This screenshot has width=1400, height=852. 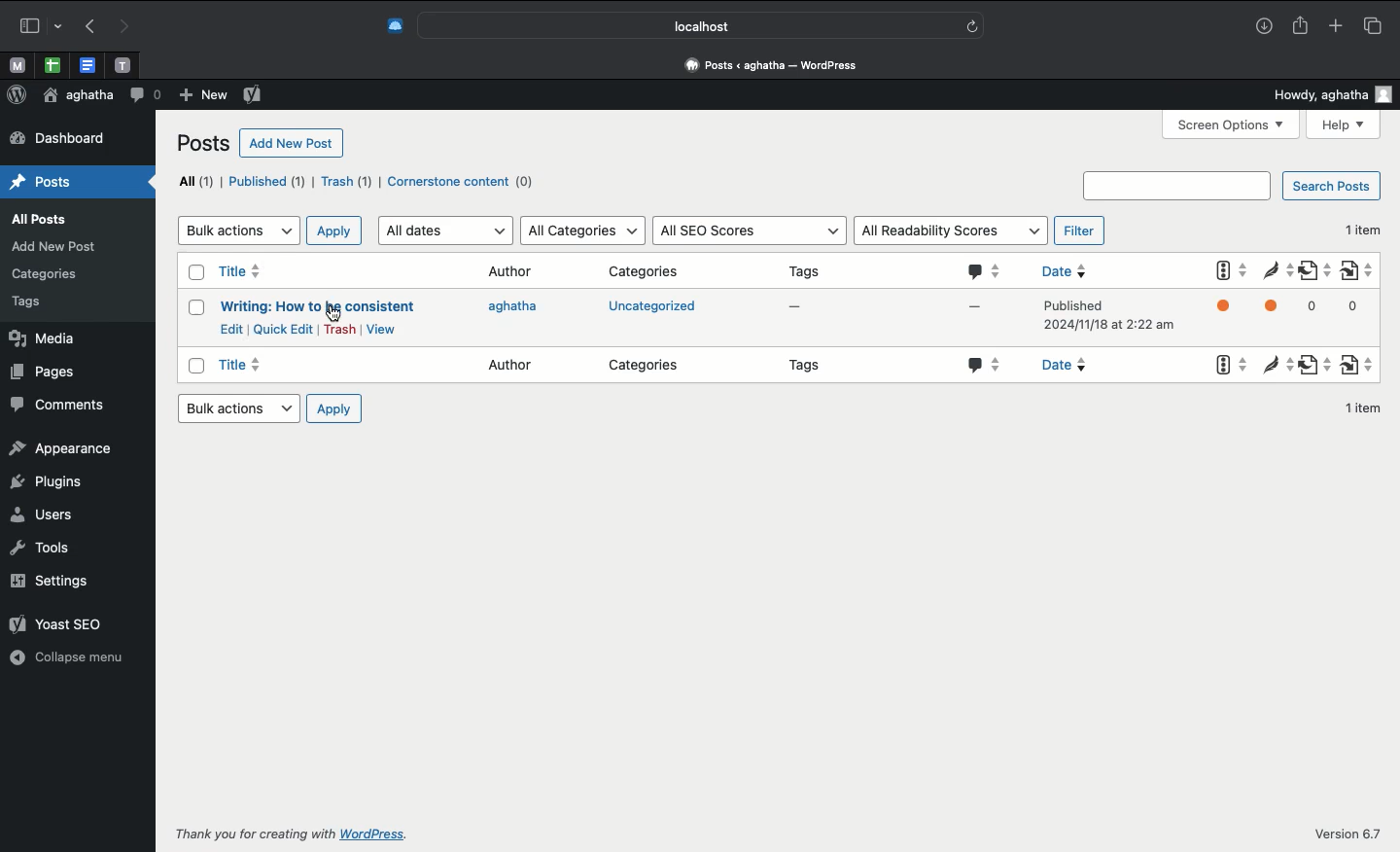 What do you see at coordinates (197, 271) in the screenshot?
I see `Checkbox` at bounding box center [197, 271].